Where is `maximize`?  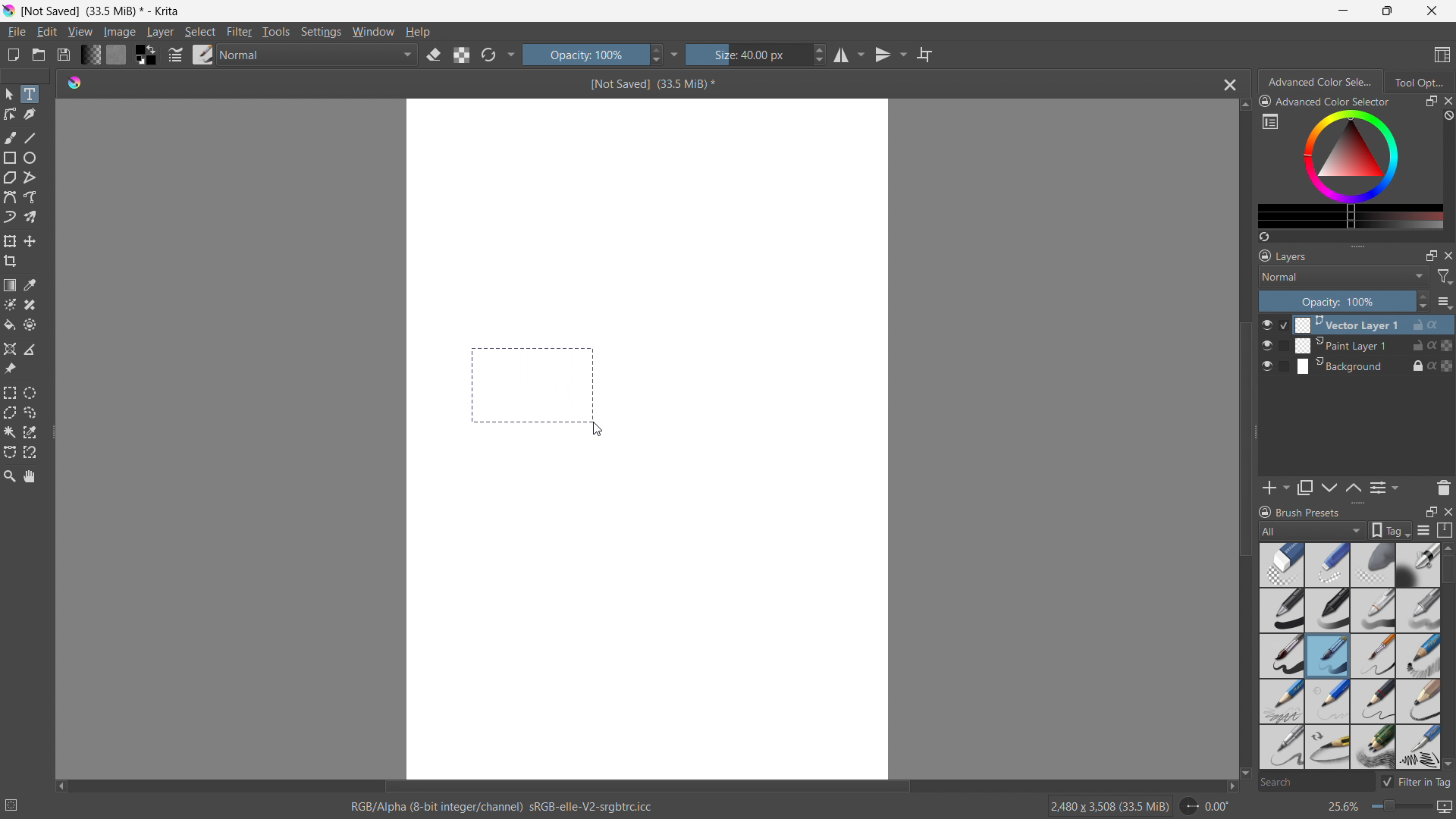
maximize is located at coordinates (1430, 511).